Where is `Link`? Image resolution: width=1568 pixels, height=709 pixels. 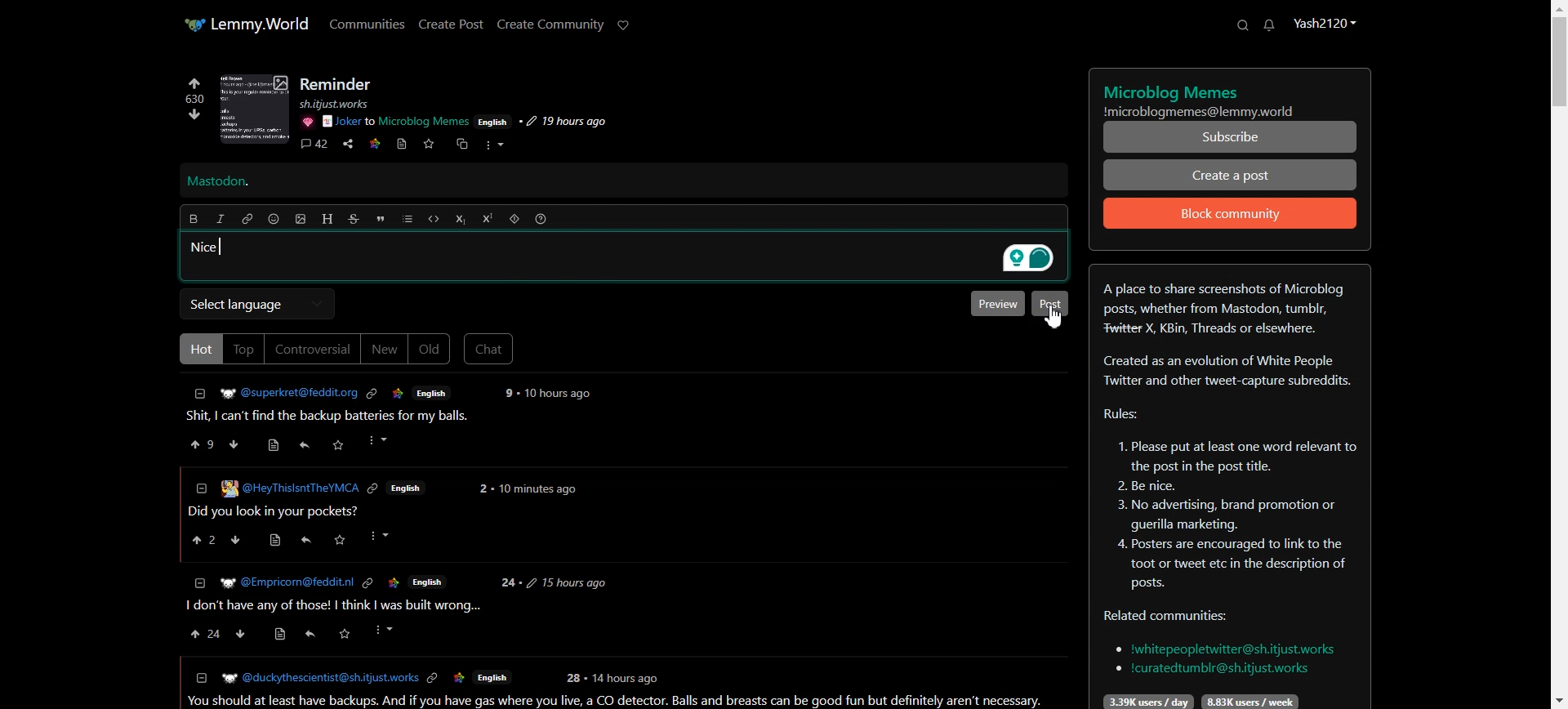
Link is located at coordinates (375, 142).